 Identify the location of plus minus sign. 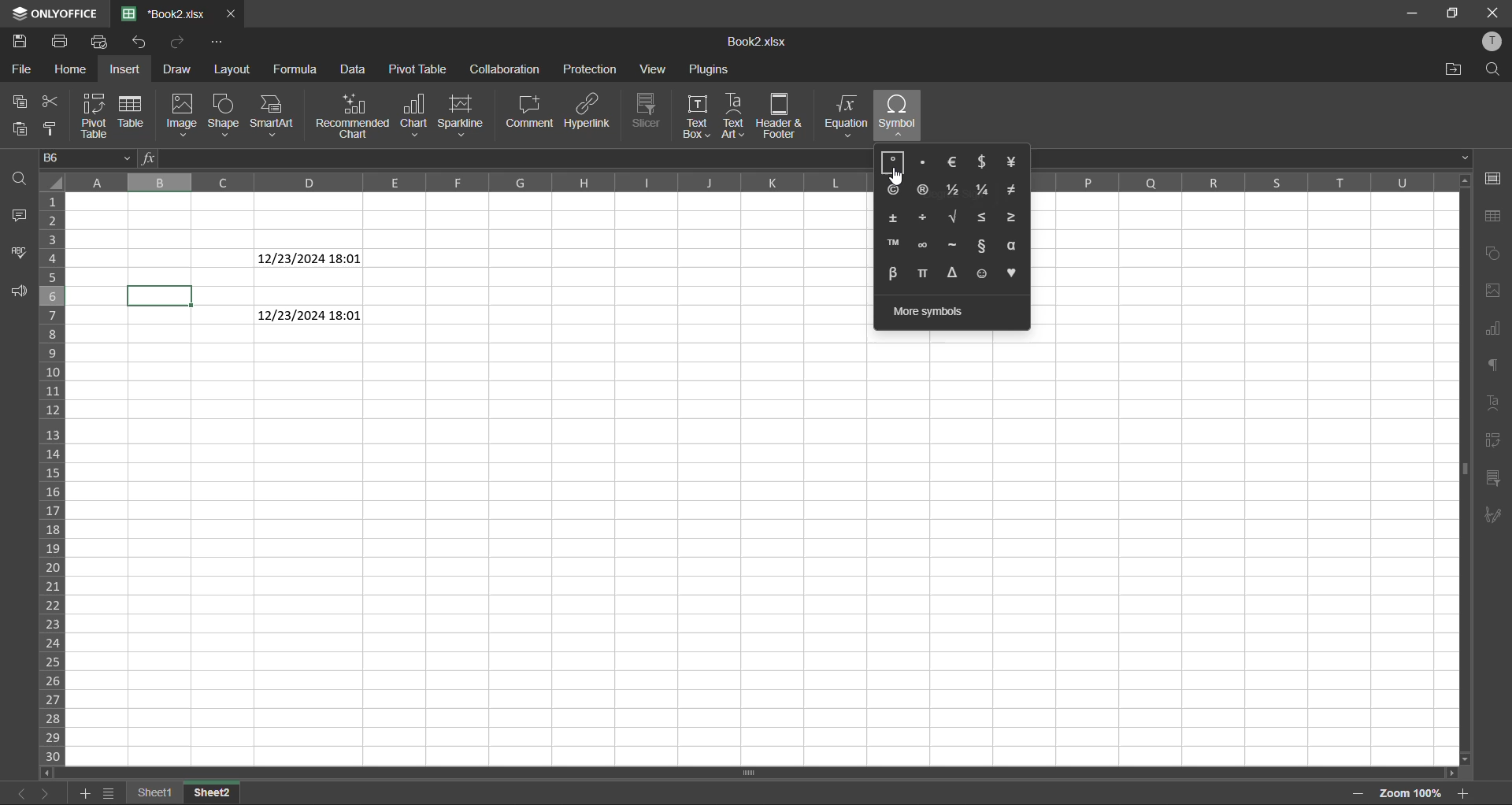
(895, 217).